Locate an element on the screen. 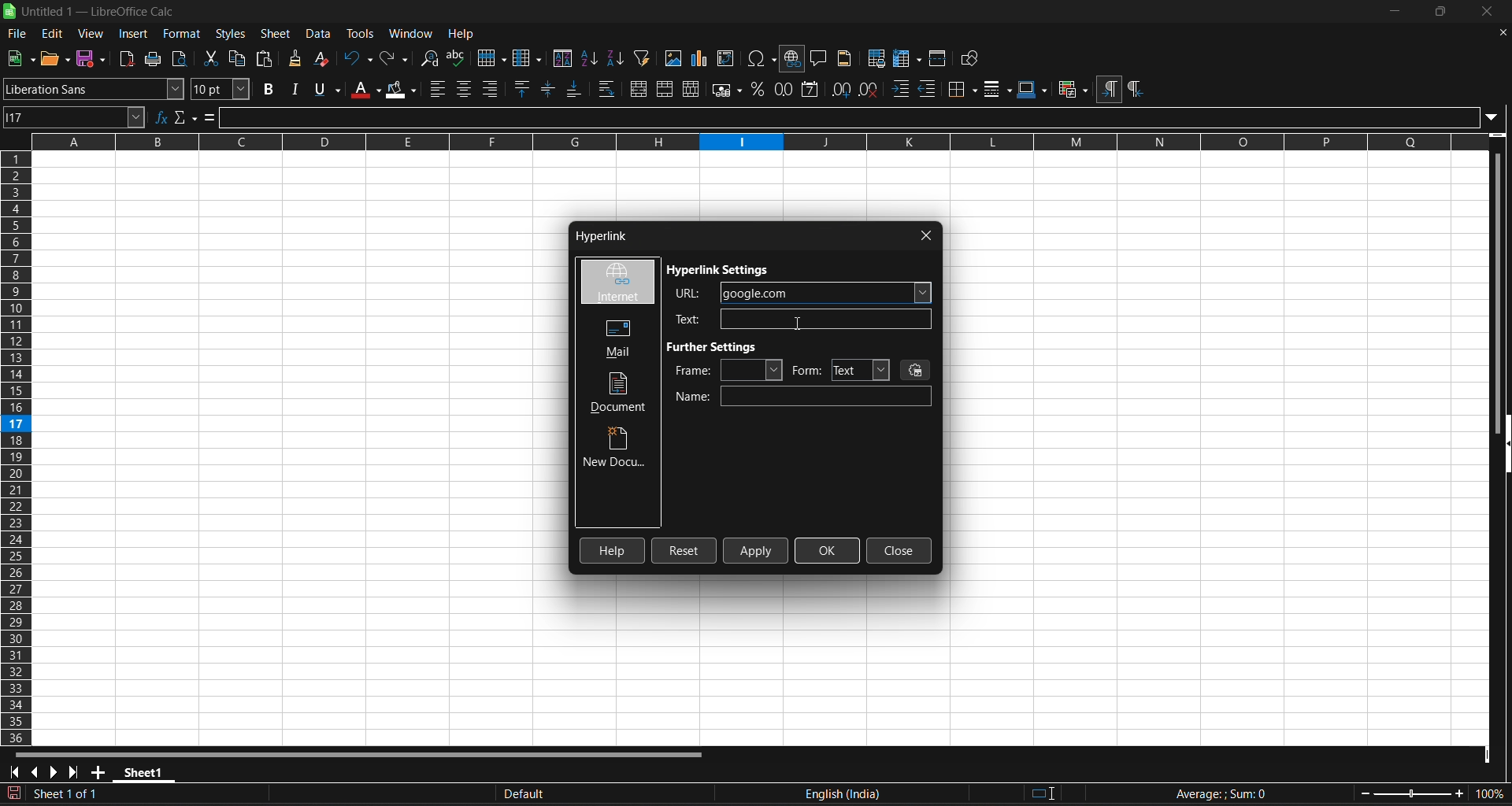 This screenshot has height=806, width=1512. sheet is located at coordinates (276, 34).